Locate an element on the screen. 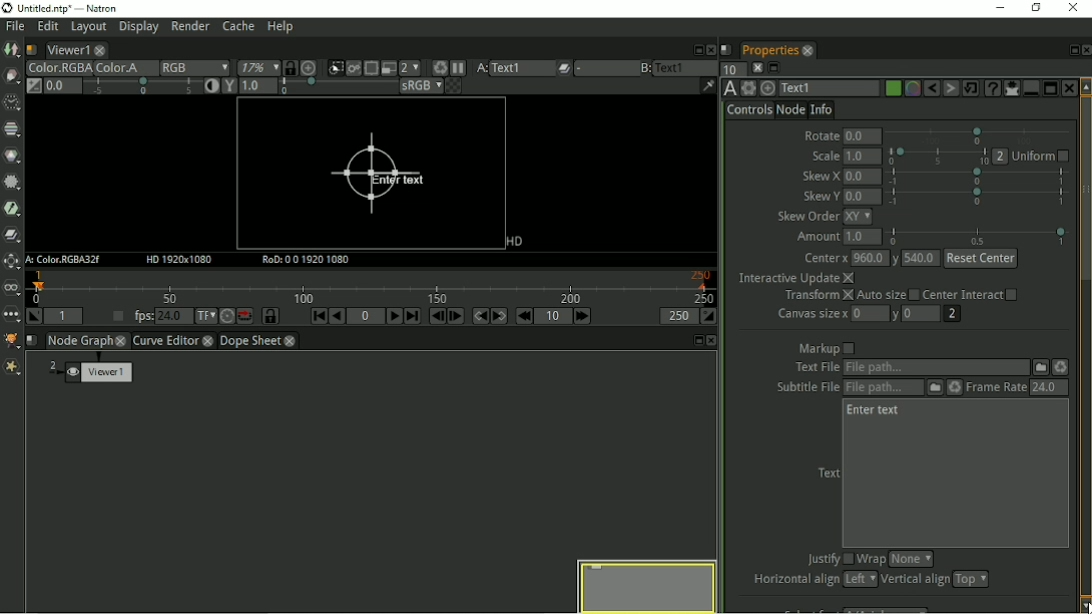  Settings and presets is located at coordinates (746, 89).